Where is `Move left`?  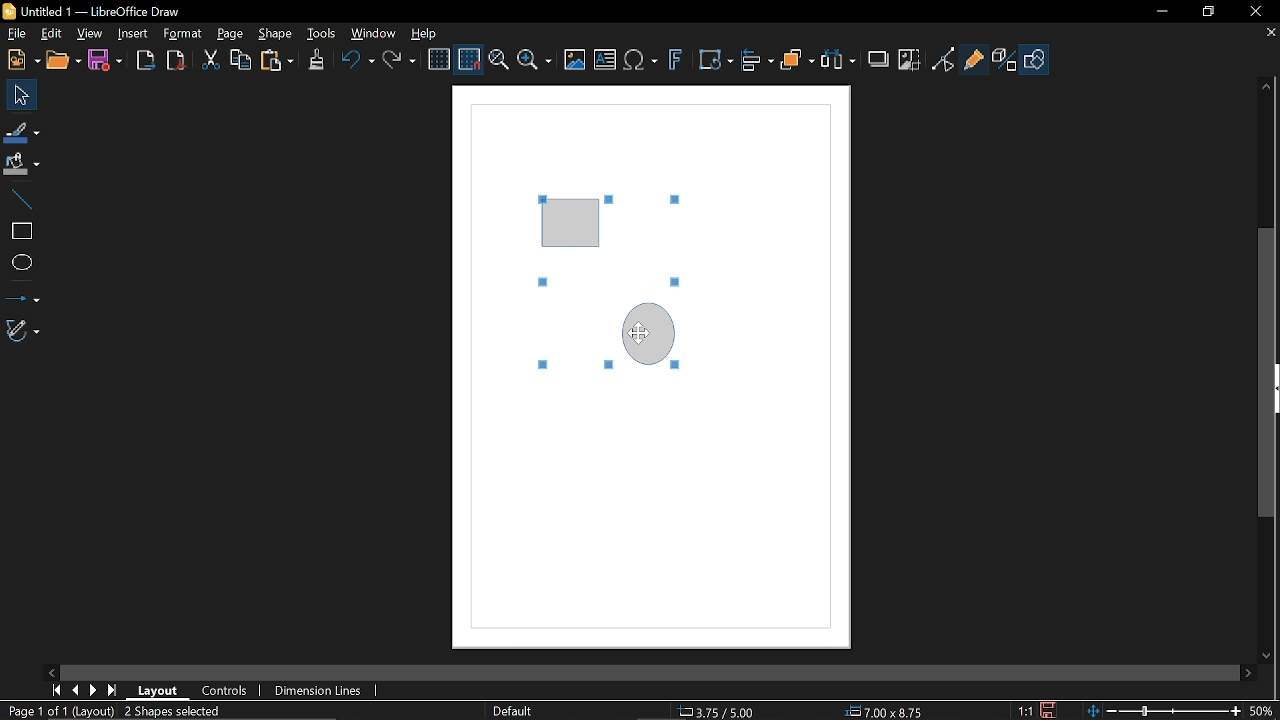 Move left is located at coordinates (47, 671).